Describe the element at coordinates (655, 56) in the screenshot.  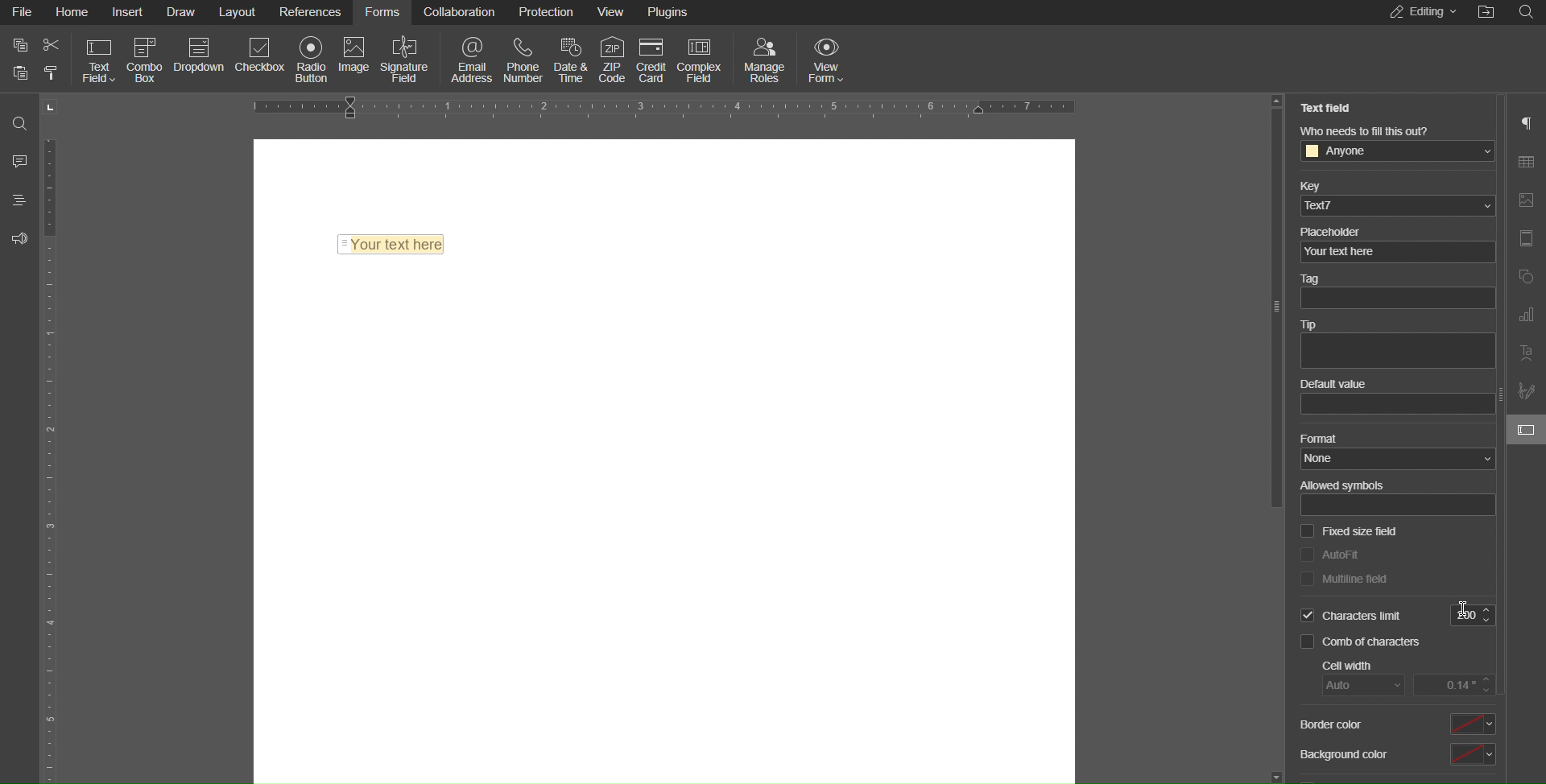
I see `Credit Card` at that location.